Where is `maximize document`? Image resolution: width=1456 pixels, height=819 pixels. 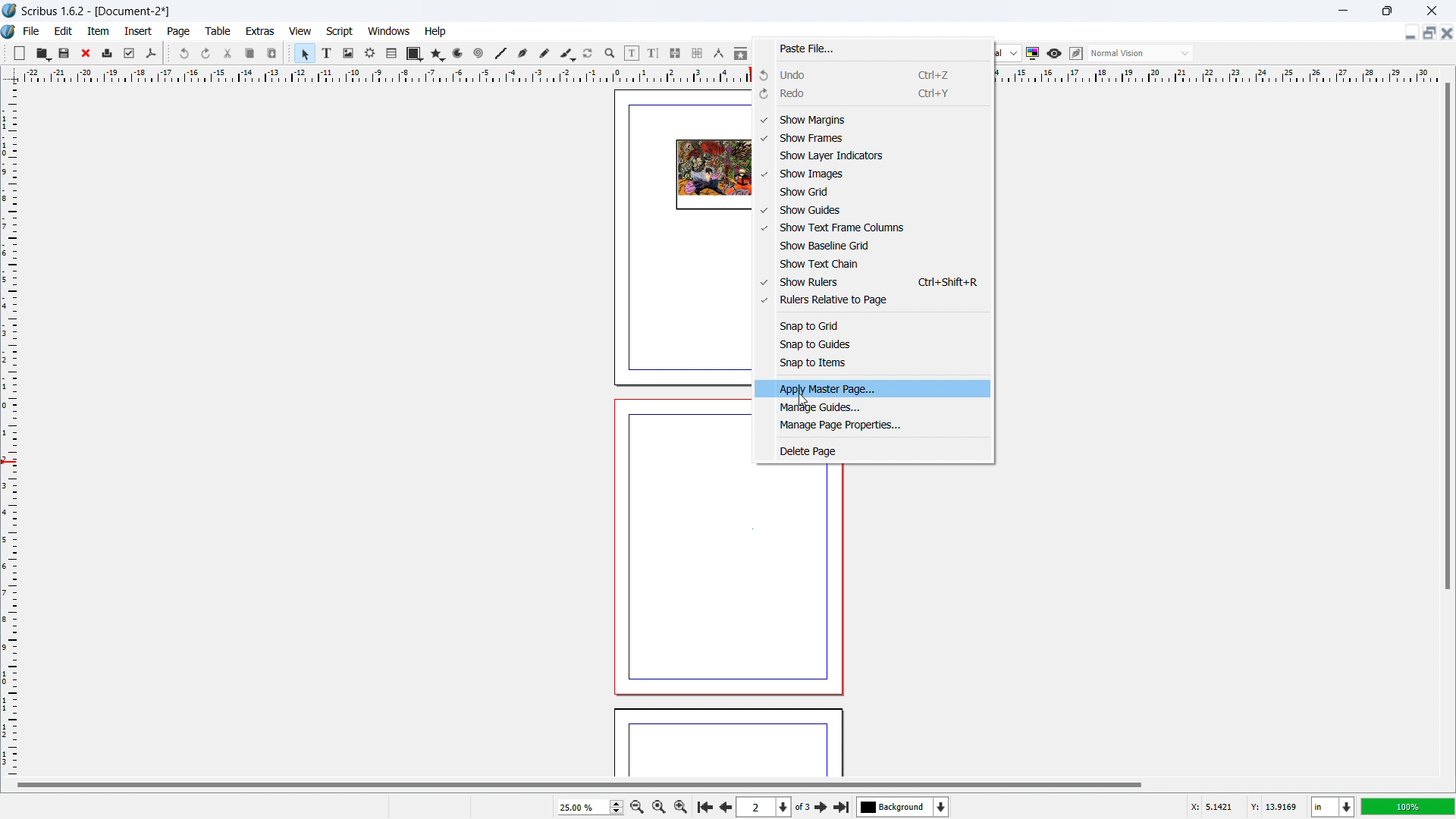
maximize document is located at coordinates (1427, 33).